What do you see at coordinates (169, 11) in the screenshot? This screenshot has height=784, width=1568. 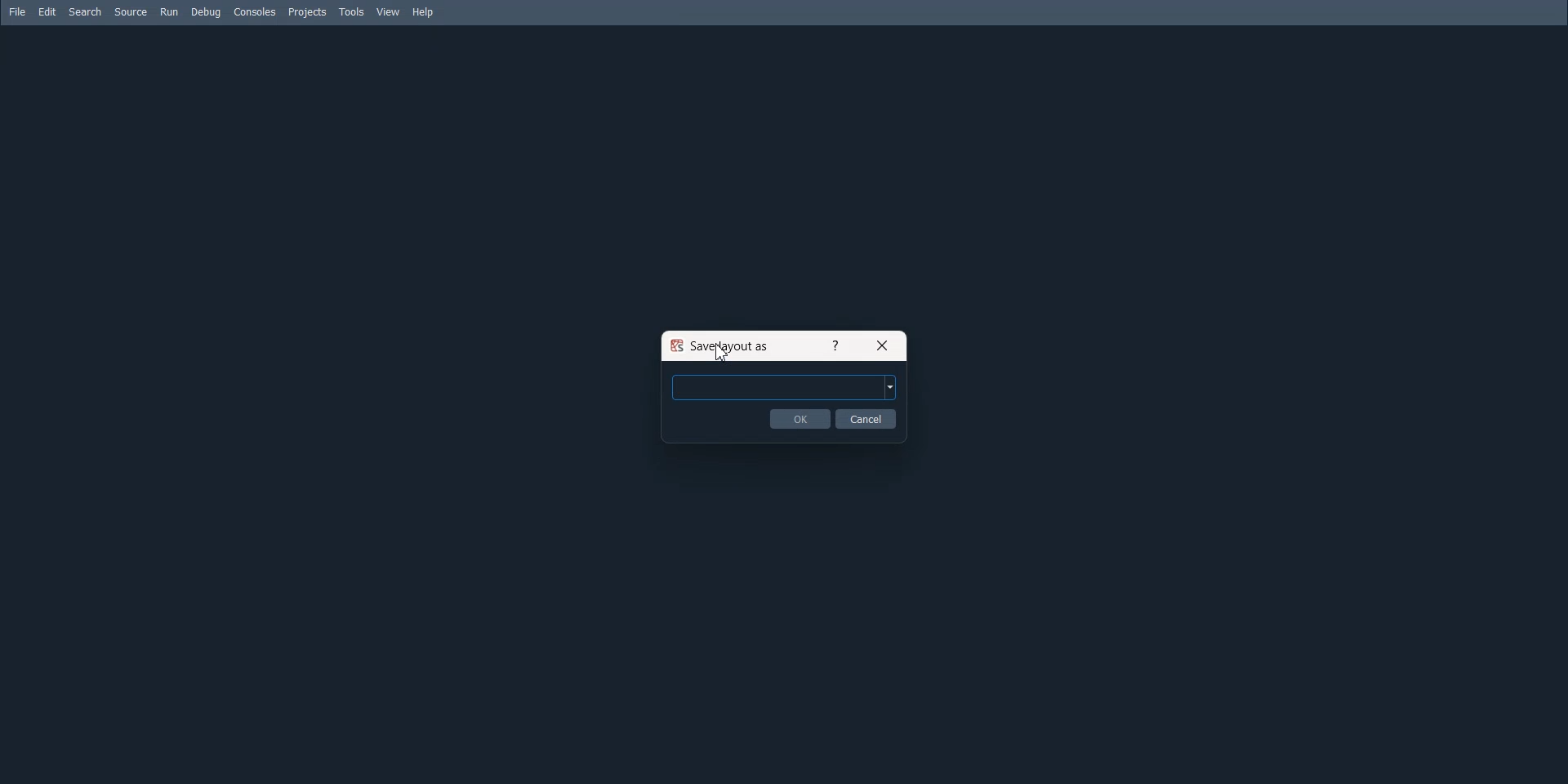 I see `Run` at bounding box center [169, 11].